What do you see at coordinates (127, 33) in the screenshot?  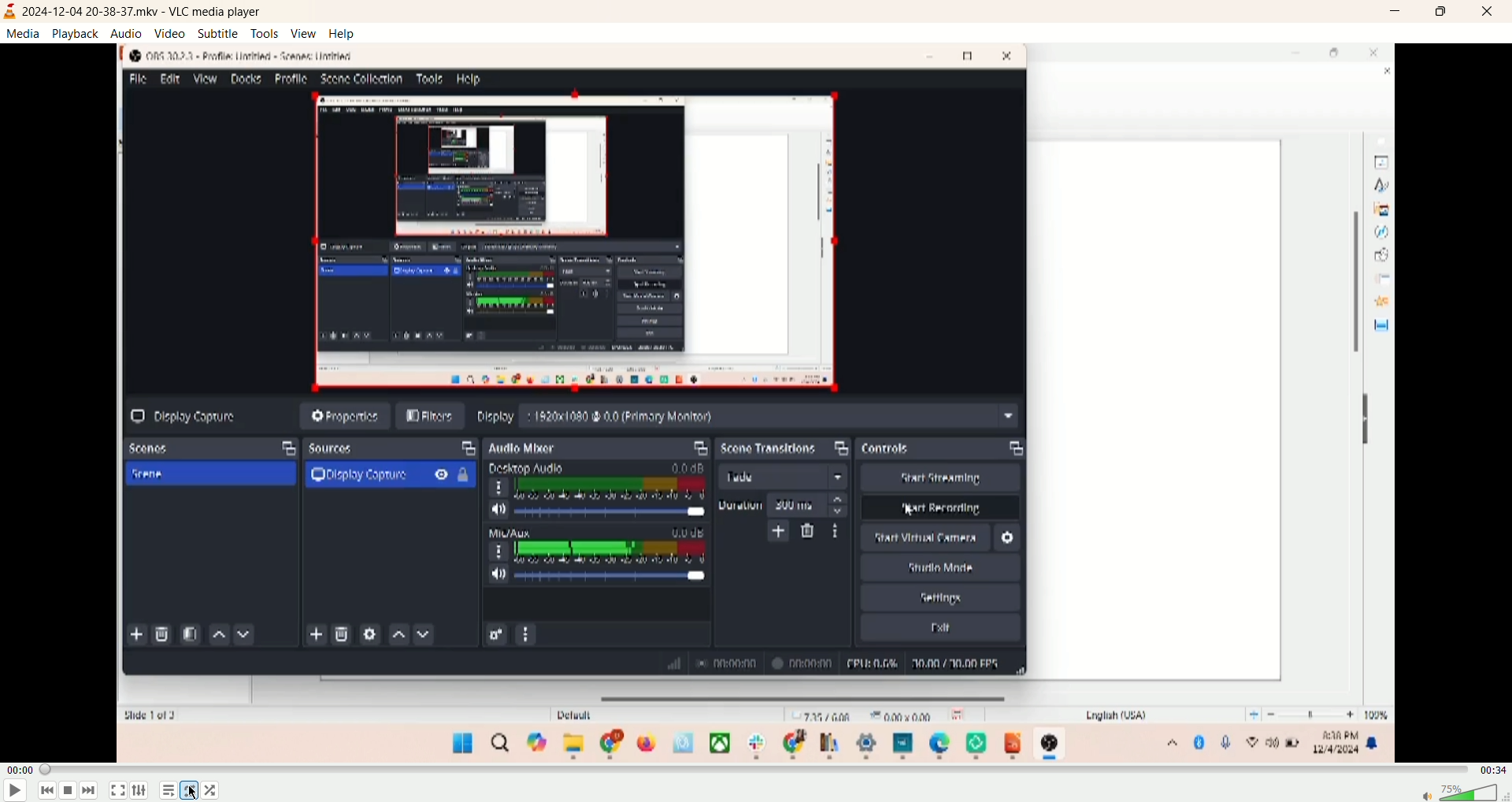 I see `audio` at bounding box center [127, 33].